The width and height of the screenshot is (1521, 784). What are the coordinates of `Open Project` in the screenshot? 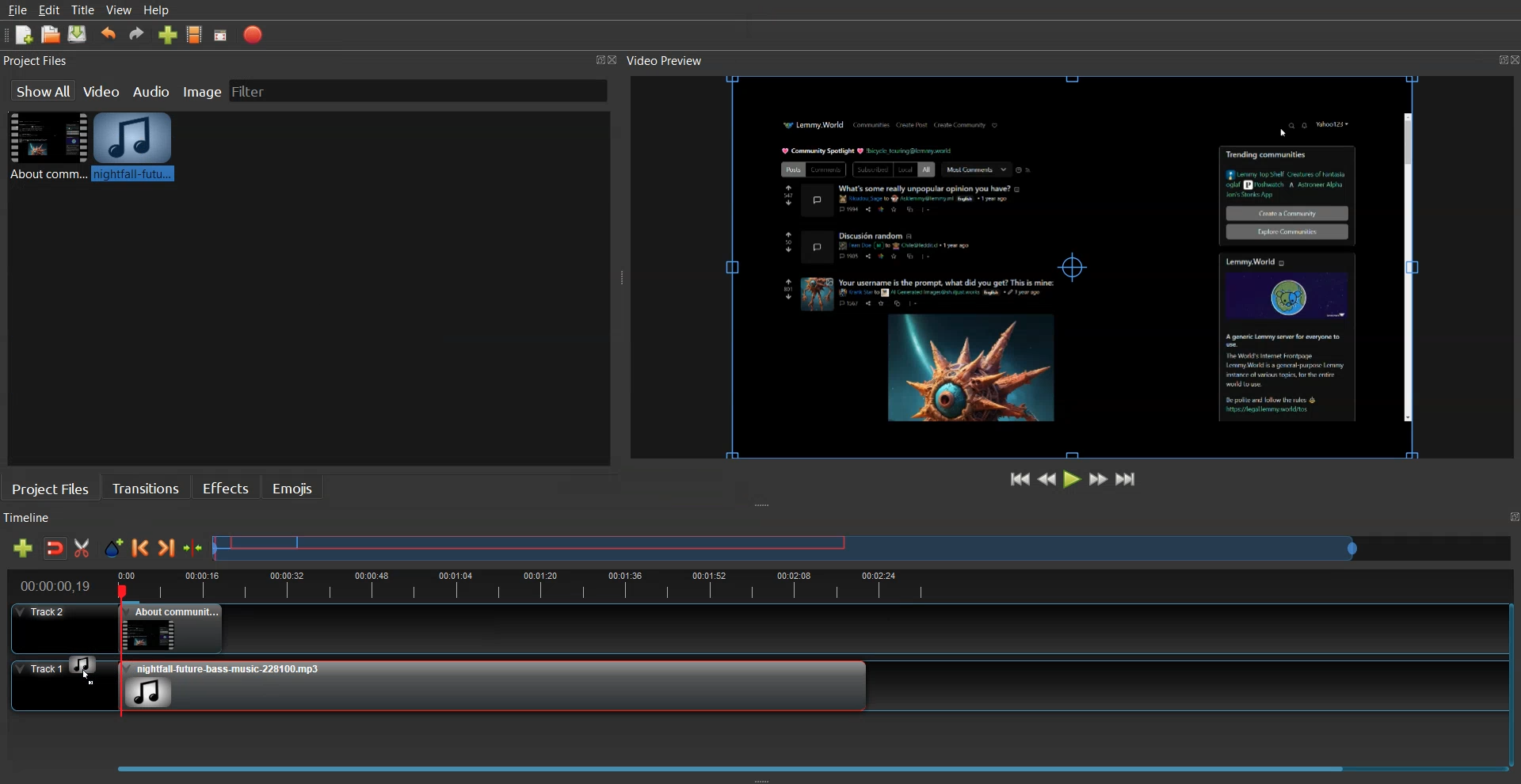 It's located at (51, 34).